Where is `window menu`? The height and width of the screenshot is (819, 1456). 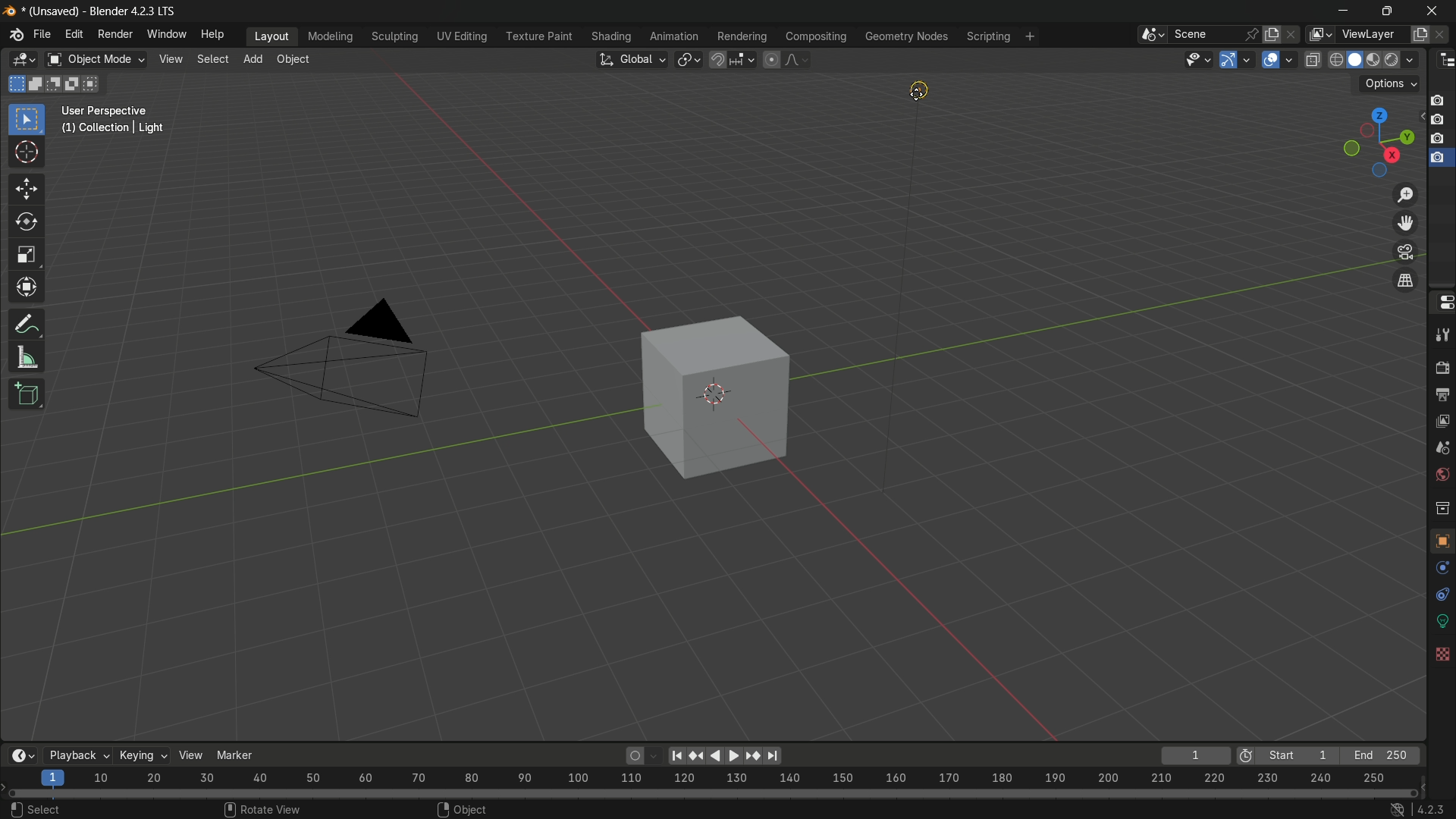
window menu is located at coordinates (166, 35).